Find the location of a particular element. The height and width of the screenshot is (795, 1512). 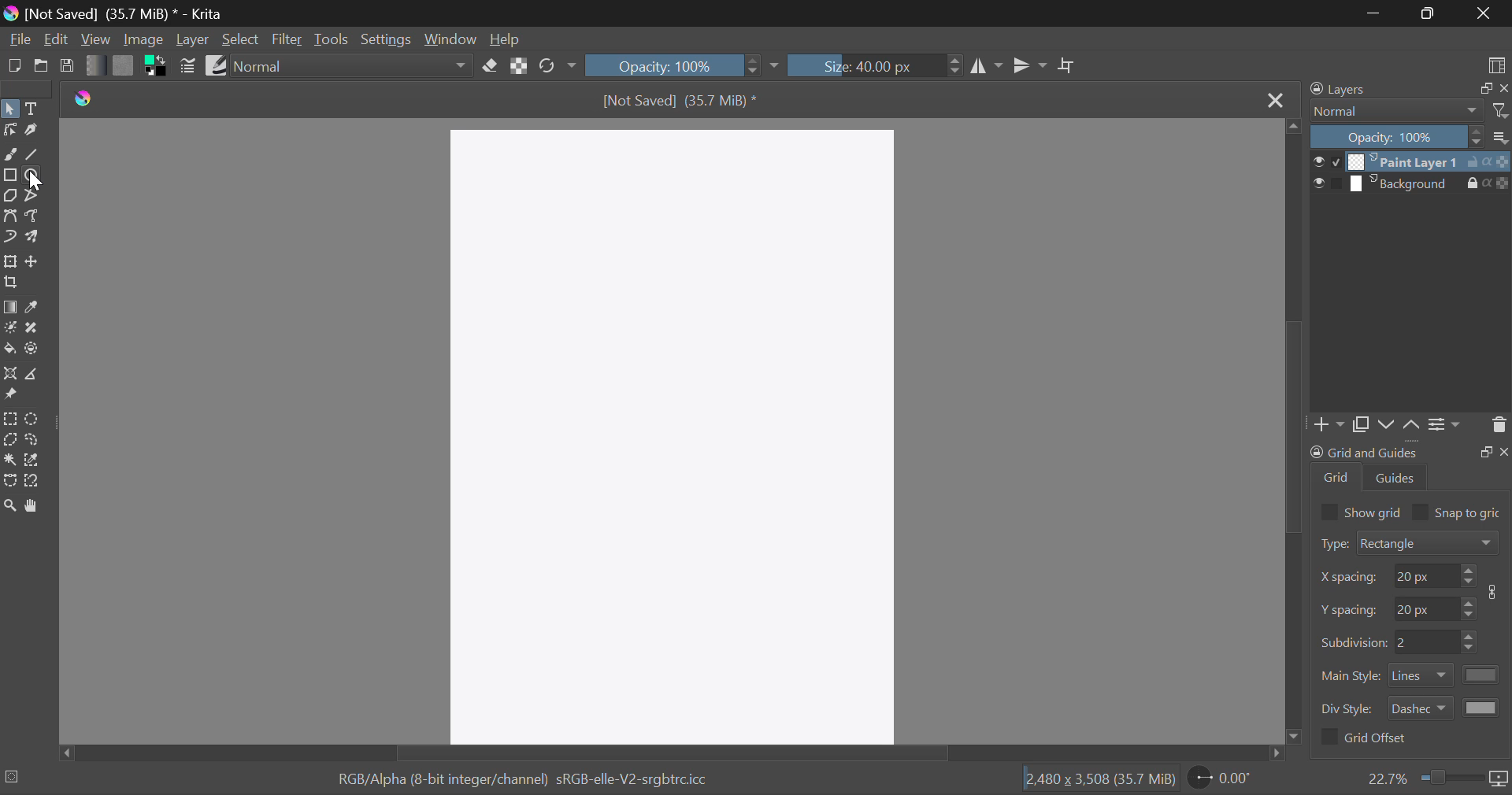

Close is located at coordinates (1484, 13).